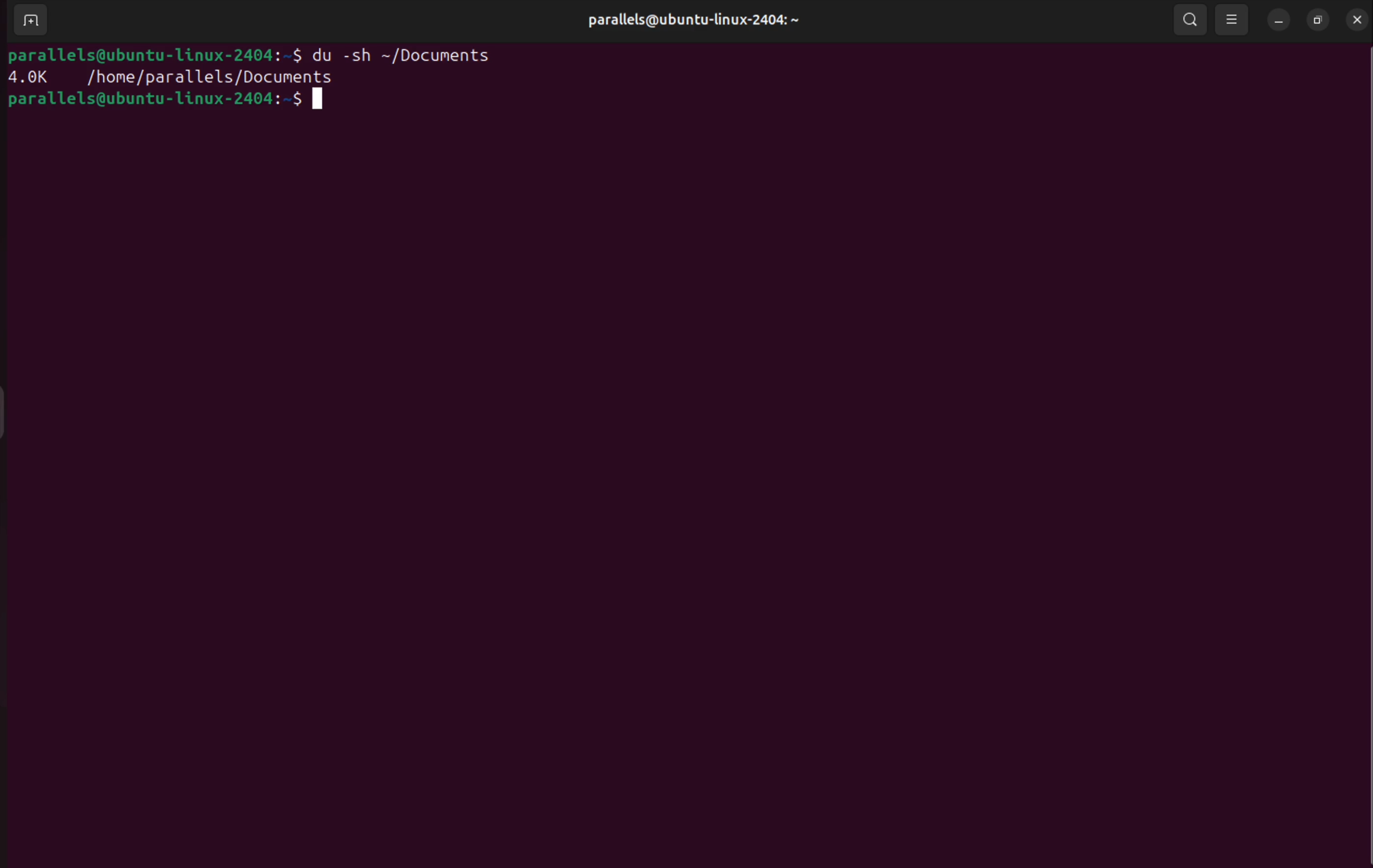 This screenshot has width=1373, height=868. Describe the element at coordinates (409, 52) in the screenshot. I see `du -sh ~/Documents` at that location.